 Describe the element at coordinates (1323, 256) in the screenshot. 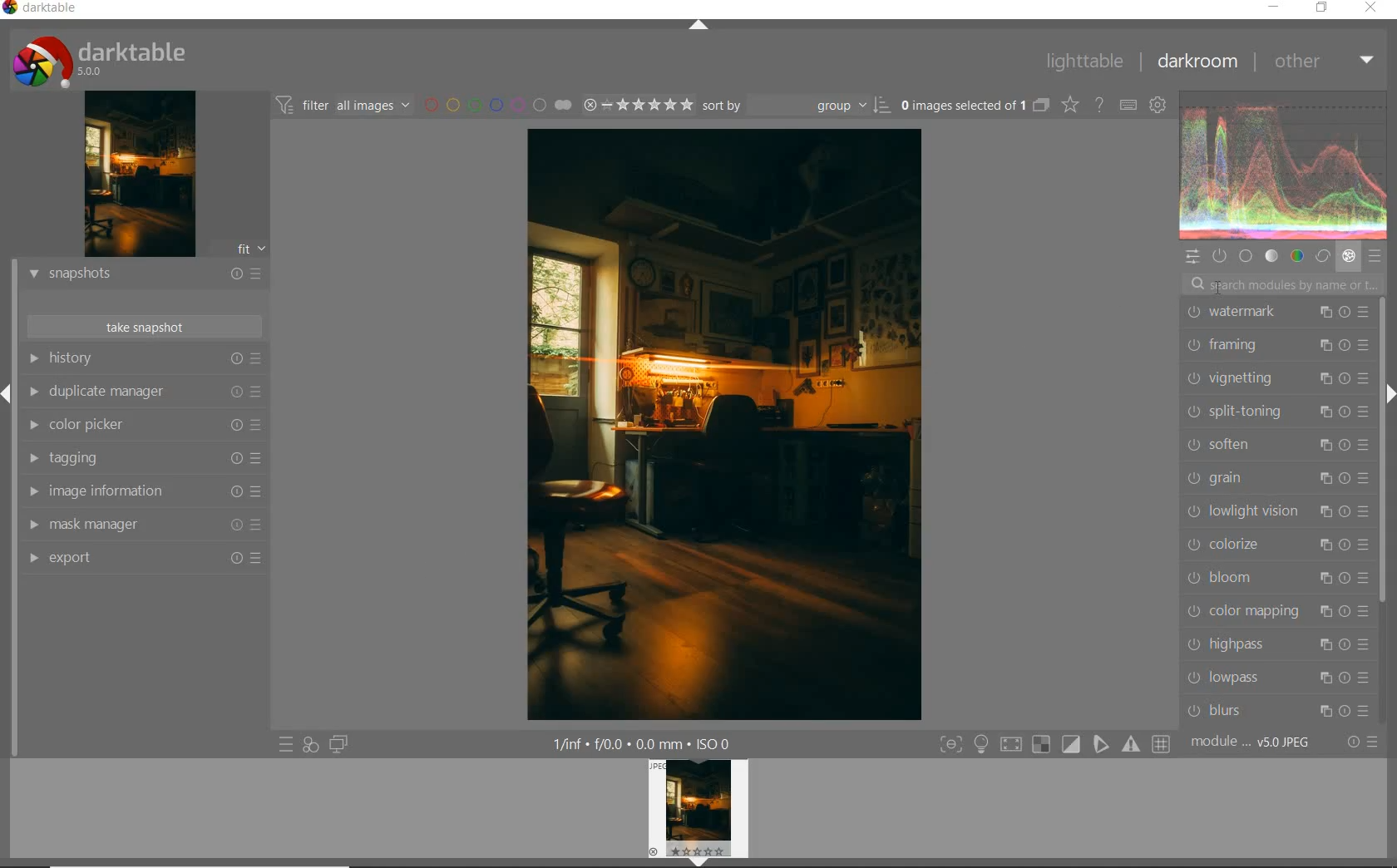

I see `correct` at that location.